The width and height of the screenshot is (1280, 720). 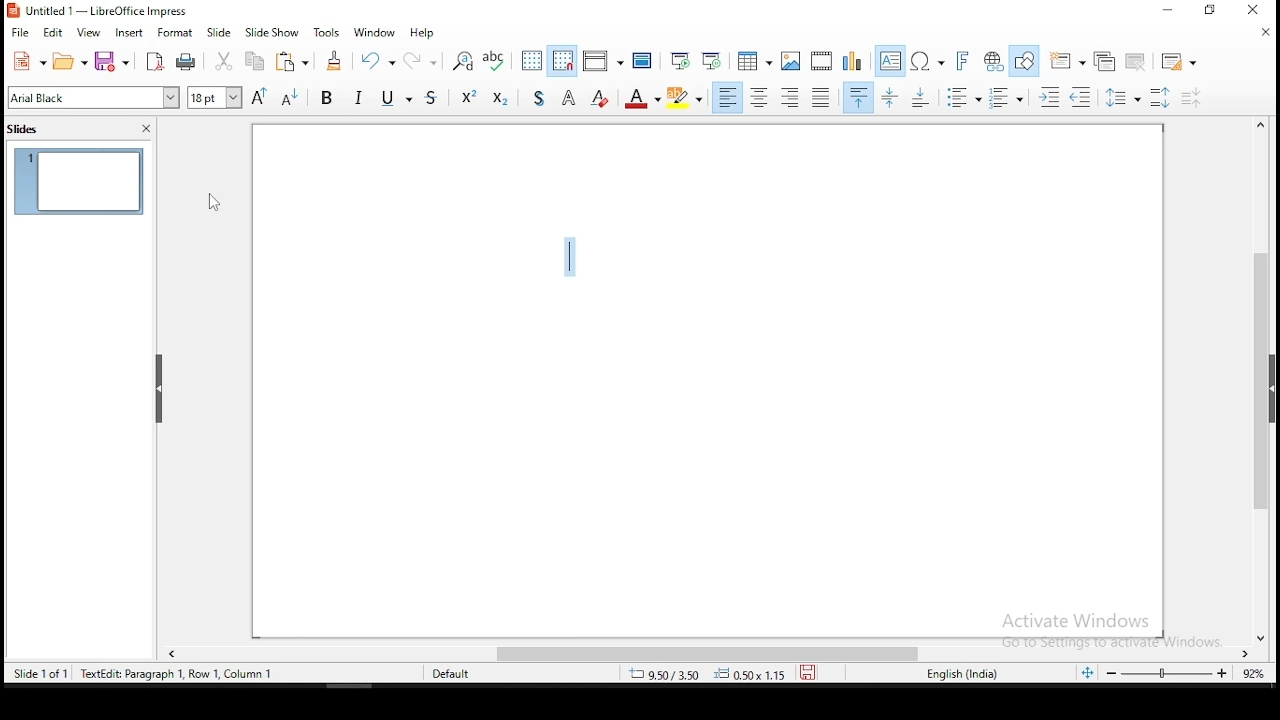 I want to click on slides, so click(x=26, y=131).